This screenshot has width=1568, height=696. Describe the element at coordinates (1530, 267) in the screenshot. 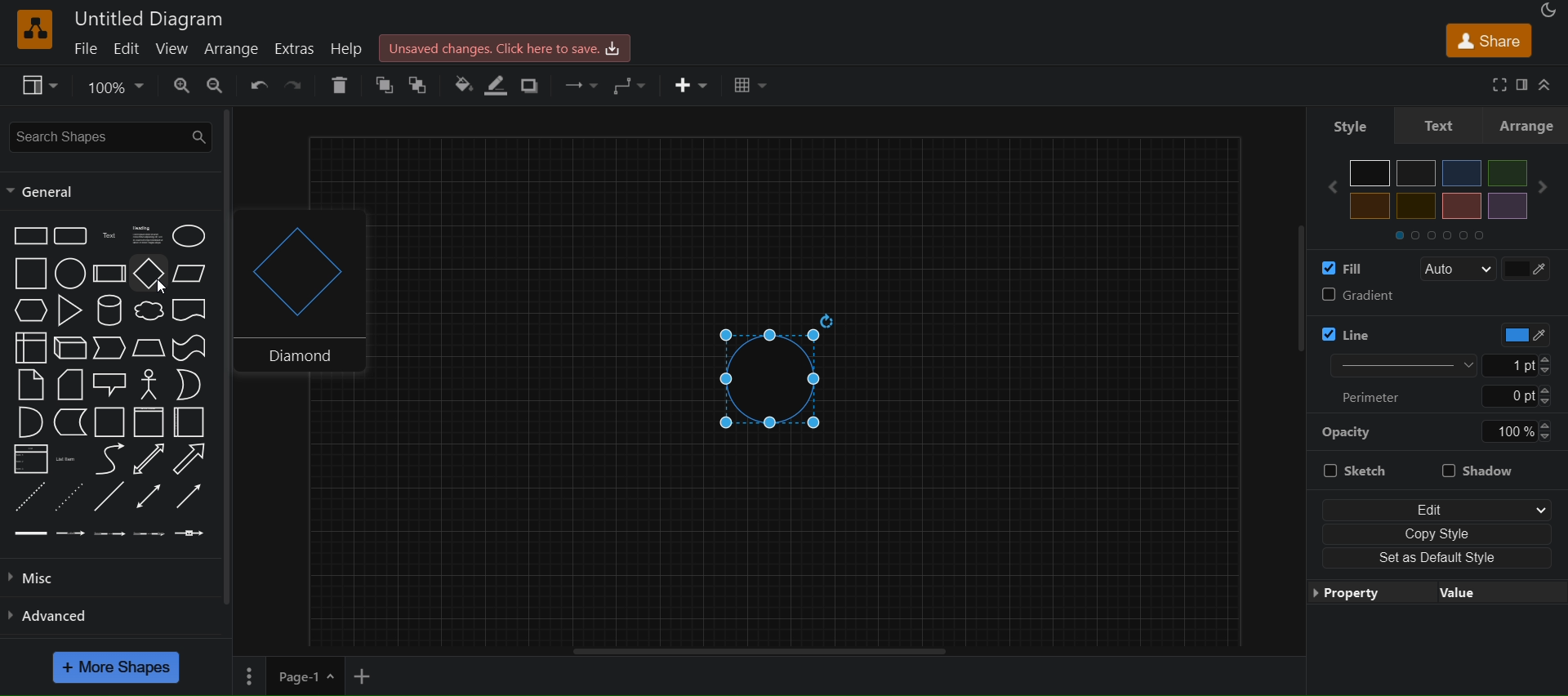

I see `color` at that location.